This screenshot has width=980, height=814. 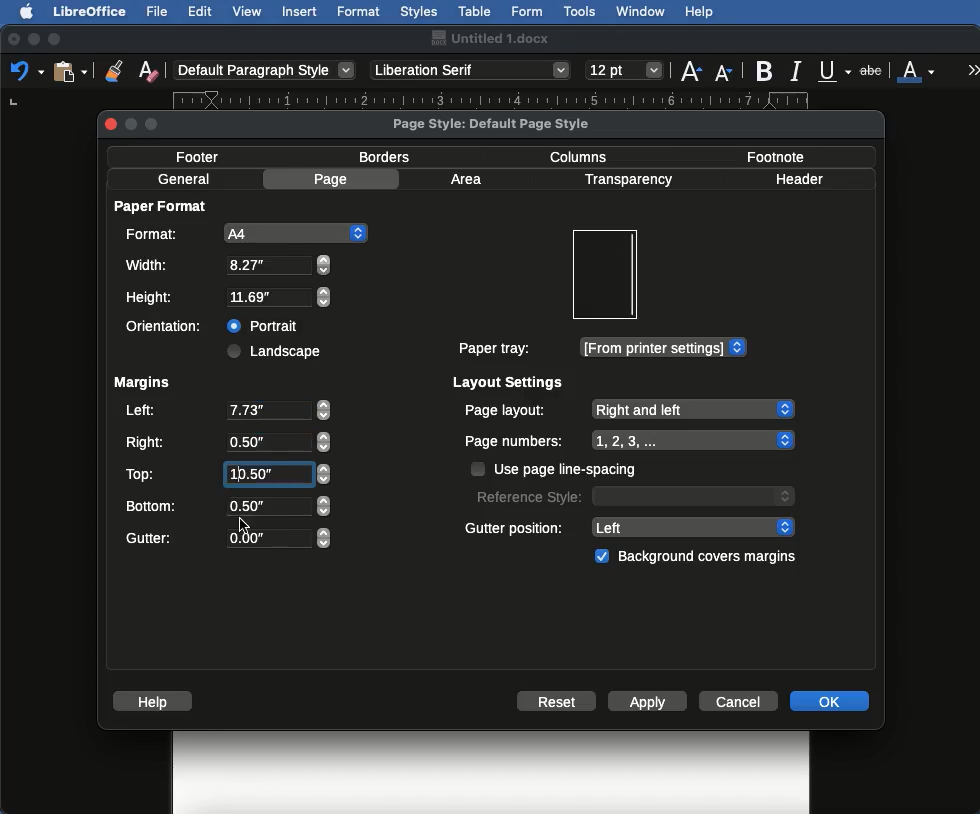 What do you see at coordinates (633, 495) in the screenshot?
I see `Reference style` at bounding box center [633, 495].